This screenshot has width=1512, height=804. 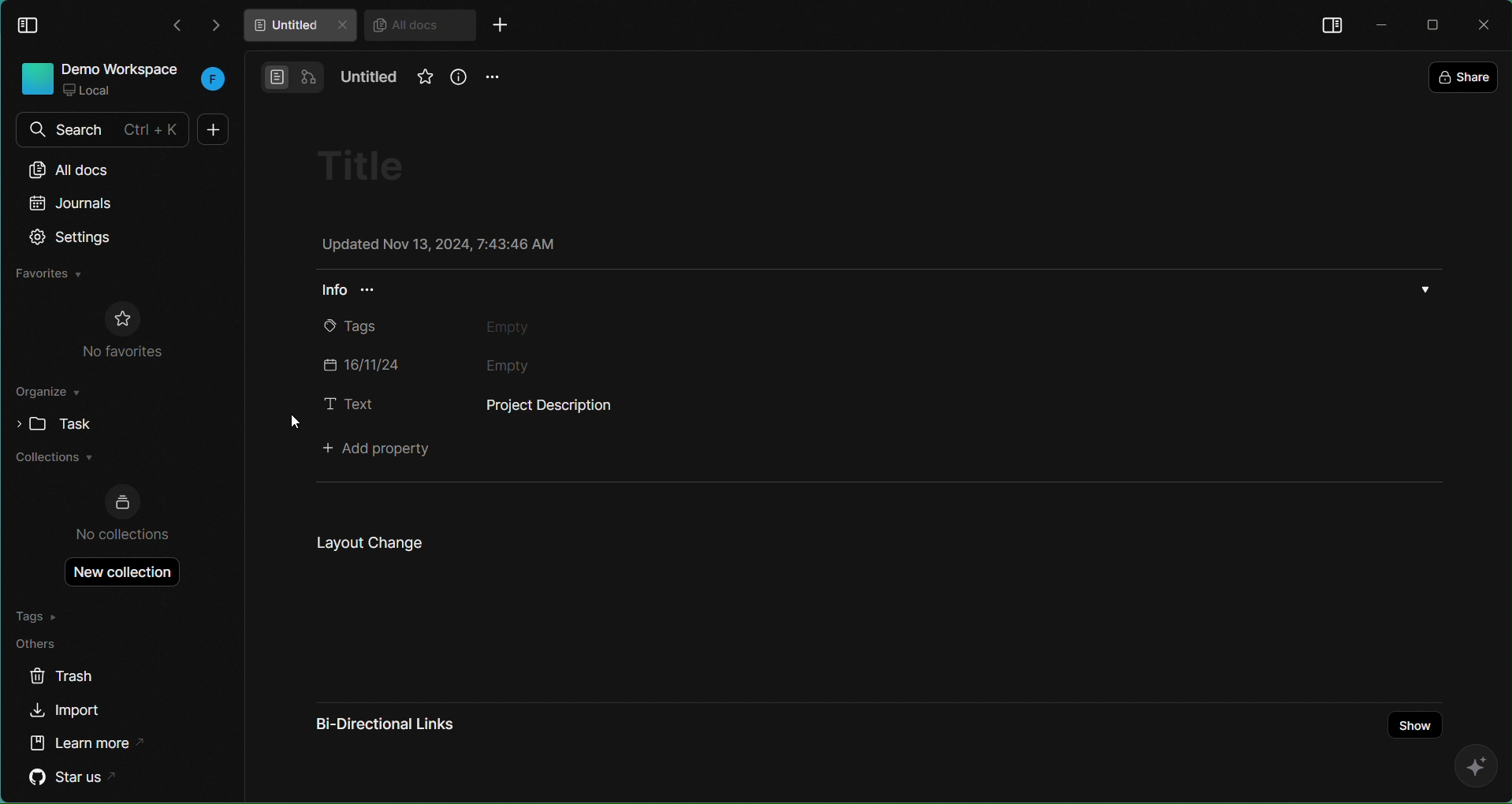 I want to click on search , so click(x=99, y=129).